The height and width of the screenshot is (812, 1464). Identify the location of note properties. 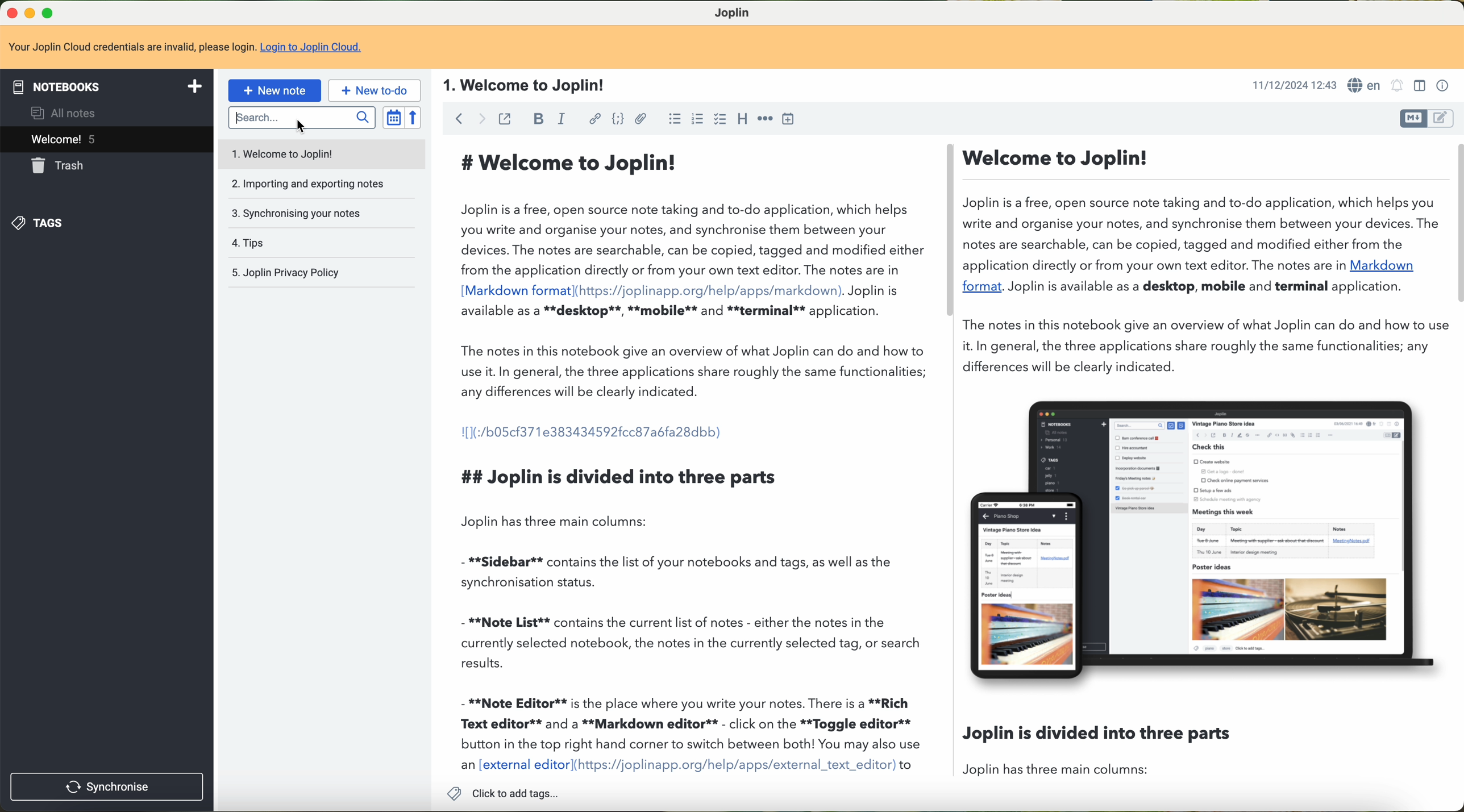
(1444, 85).